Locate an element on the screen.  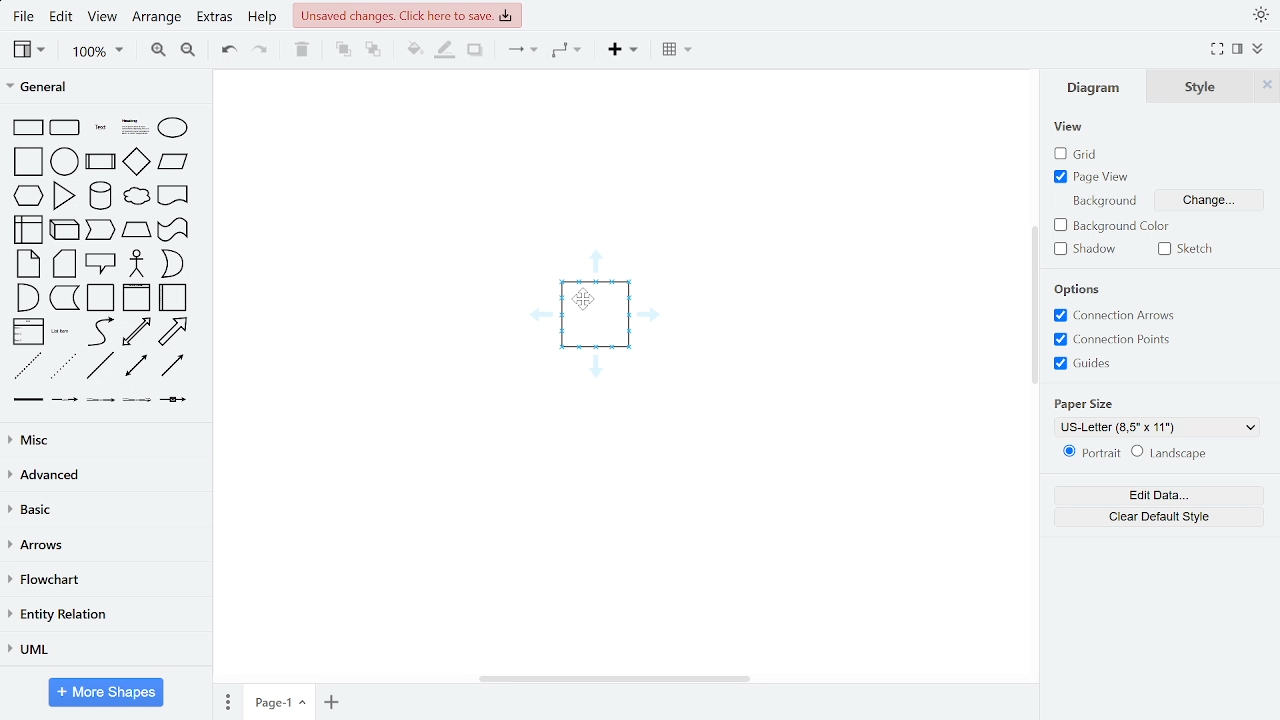
edit data is located at coordinates (1146, 494).